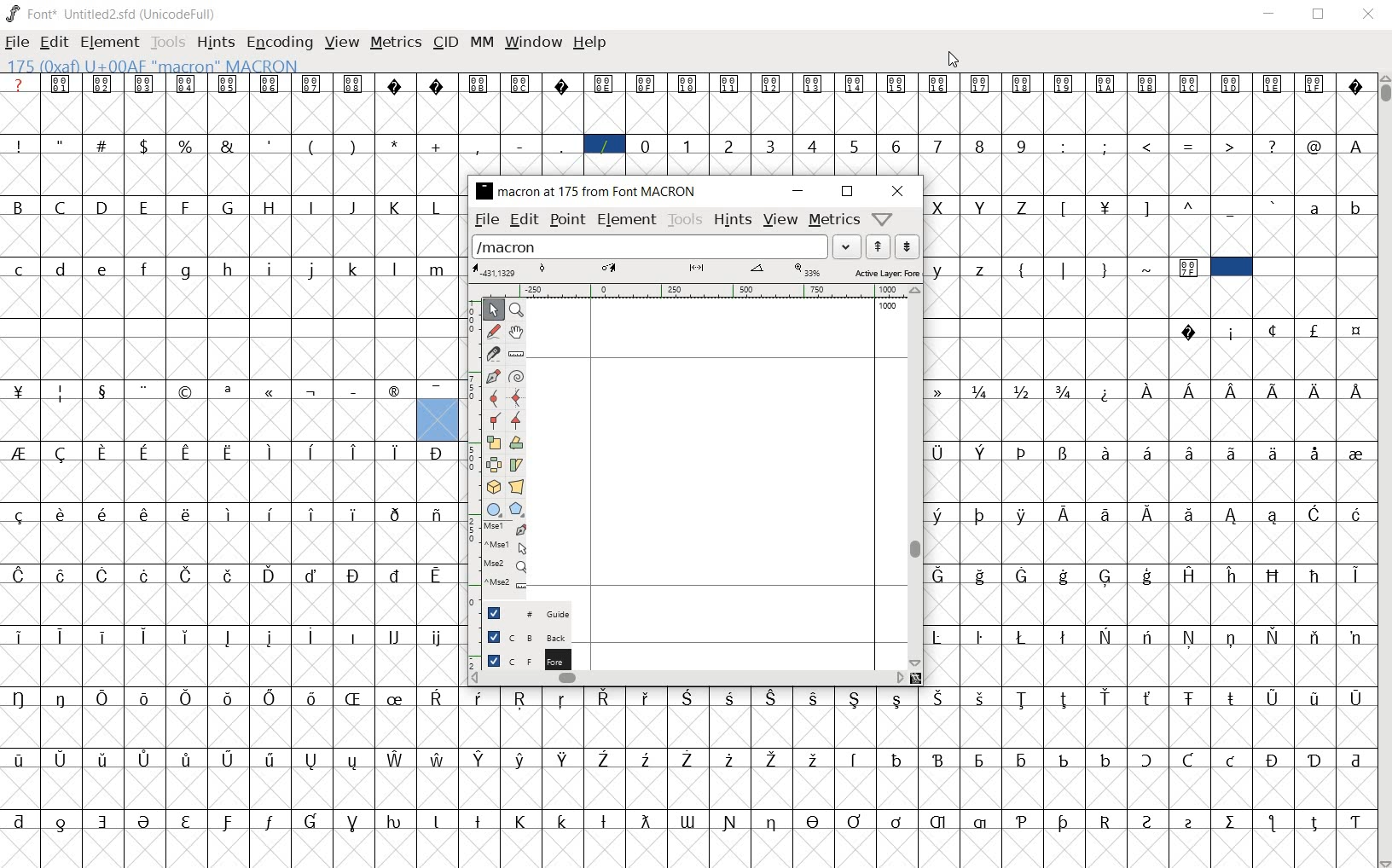 The image size is (1392, 868). Describe the element at coordinates (439, 391) in the screenshot. I see `Symbol` at that location.